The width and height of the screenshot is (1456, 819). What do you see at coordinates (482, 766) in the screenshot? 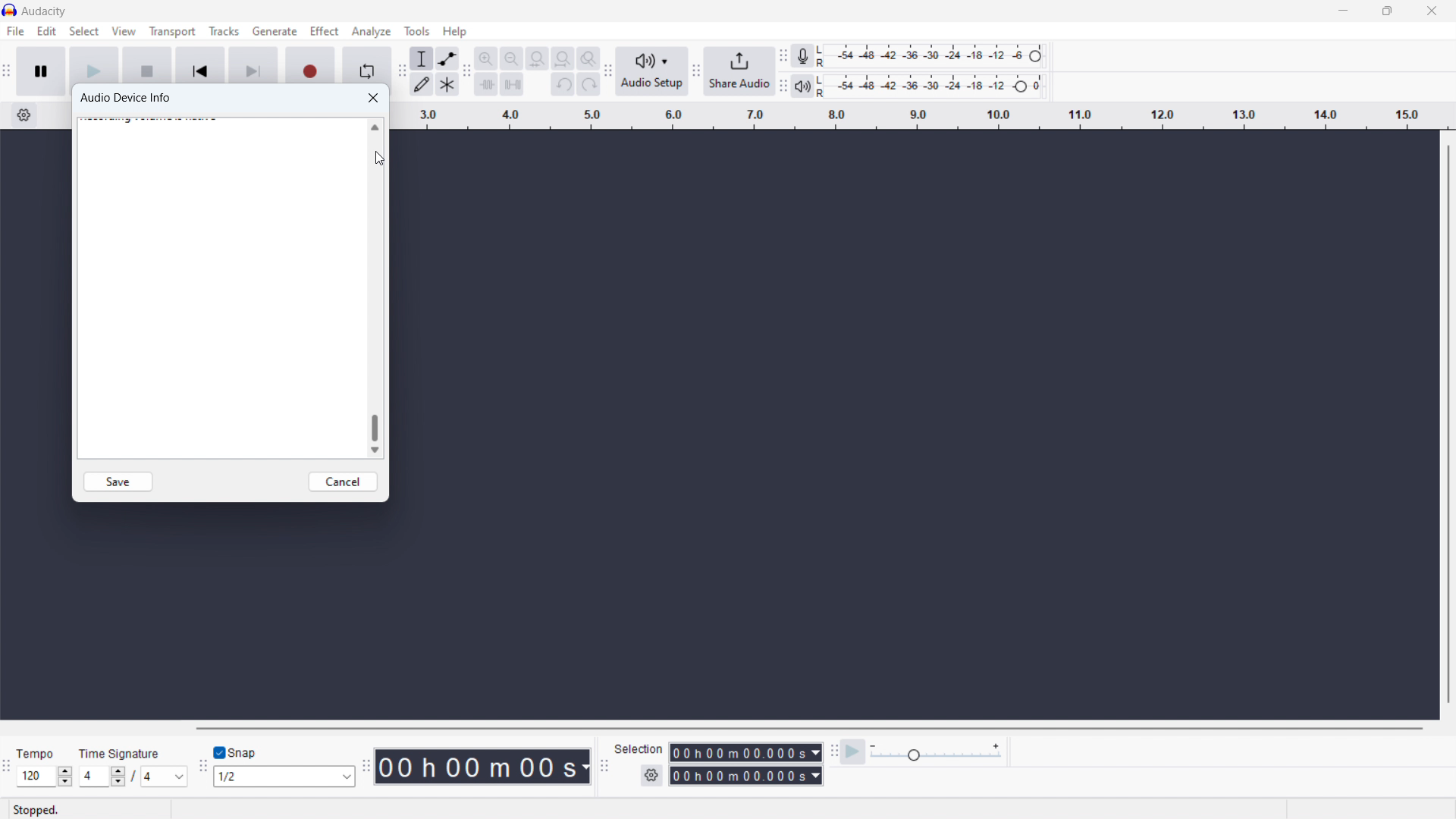
I see `timestamp` at bounding box center [482, 766].